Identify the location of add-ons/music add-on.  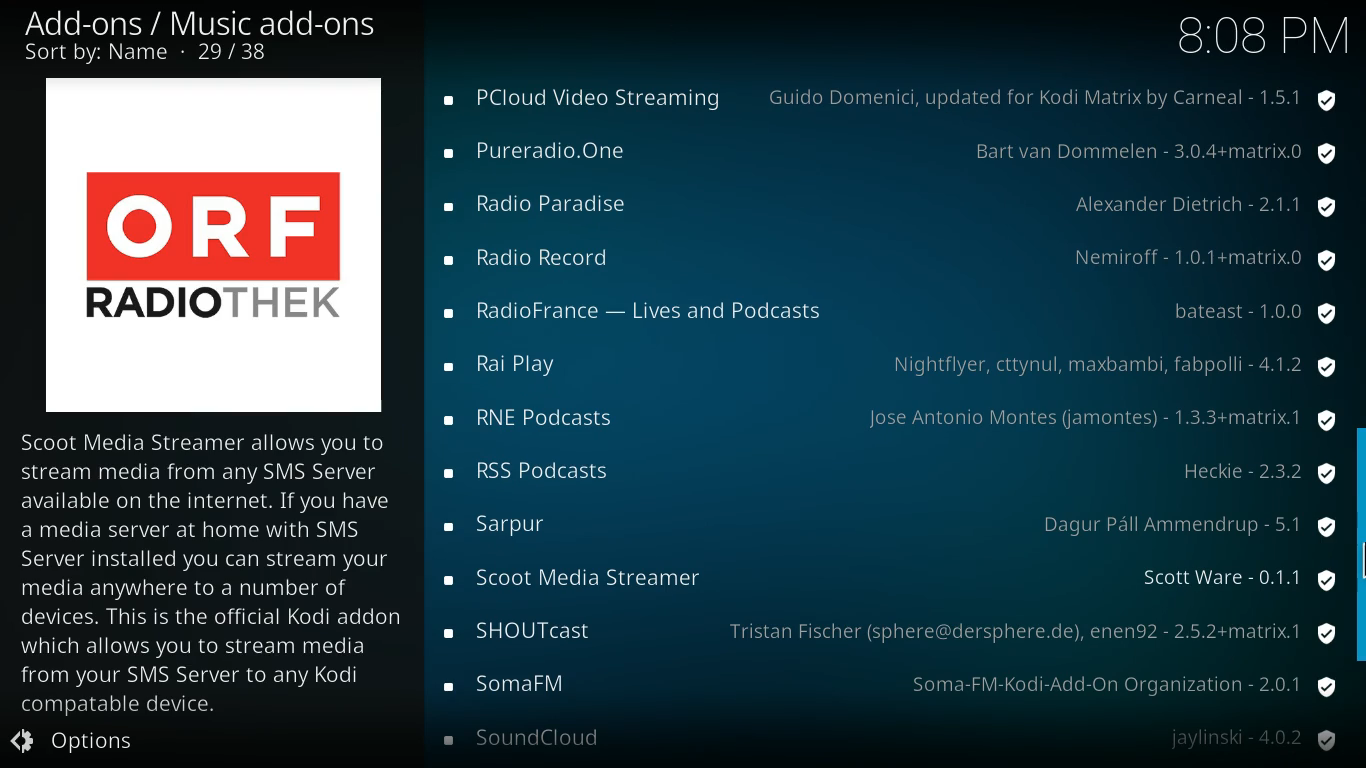
(208, 24).